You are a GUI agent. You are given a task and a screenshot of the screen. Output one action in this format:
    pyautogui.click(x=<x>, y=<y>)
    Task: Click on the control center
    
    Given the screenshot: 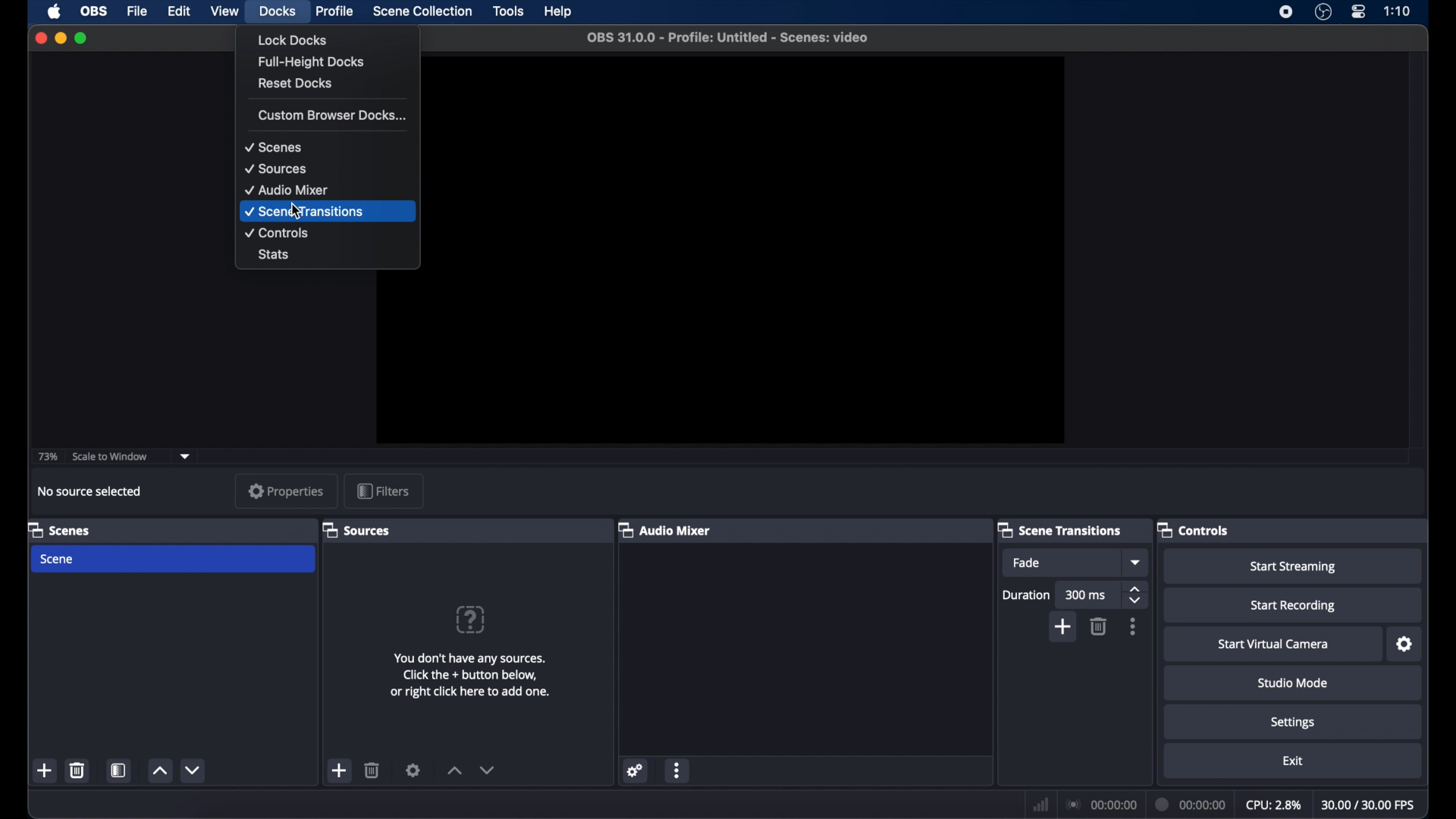 What is the action you would take?
    pyautogui.click(x=1357, y=12)
    